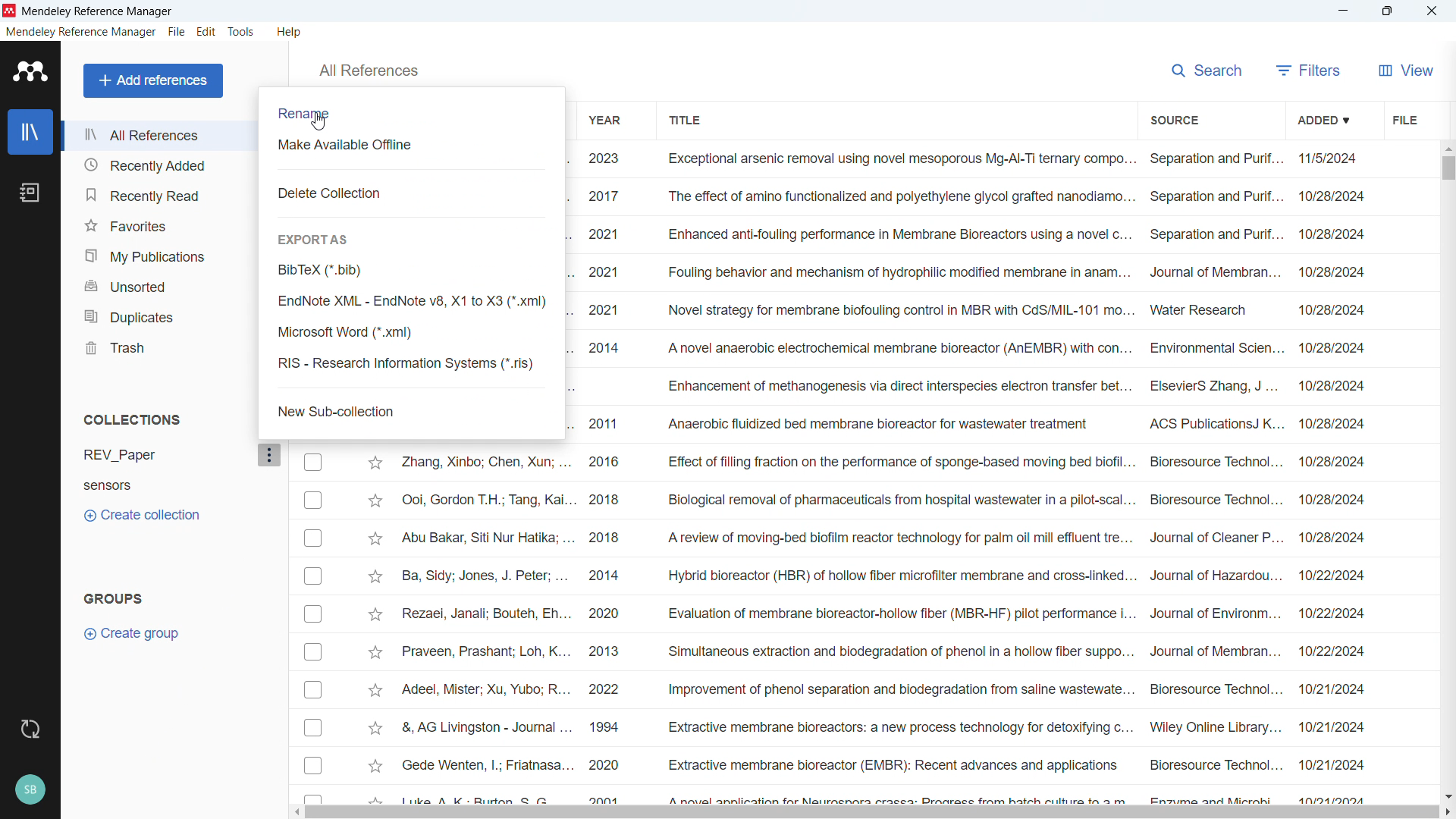  Describe the element at coordinates (160, 347) in the screenshot. I see `Trash ` at that location.